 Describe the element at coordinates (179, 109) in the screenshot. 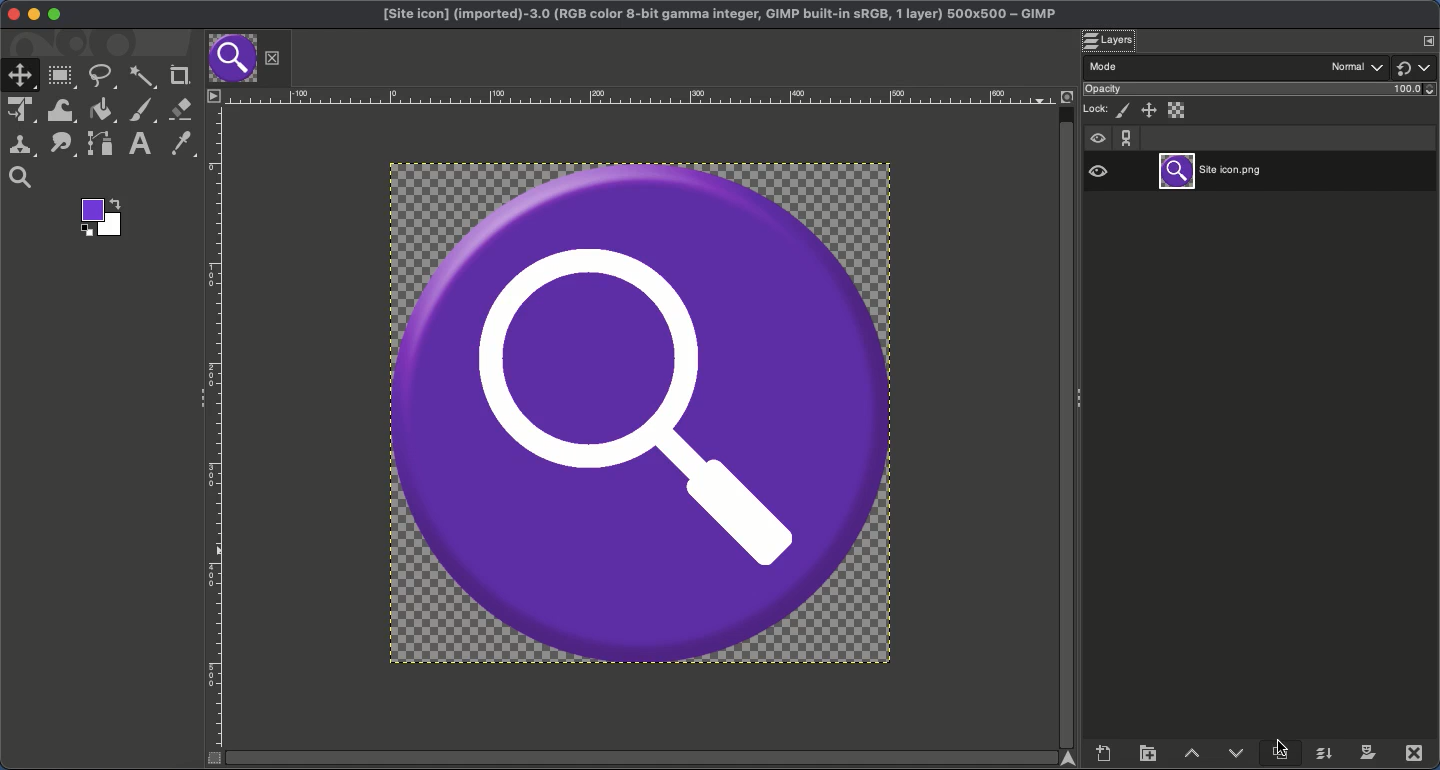

I see `Eraser` at that location.